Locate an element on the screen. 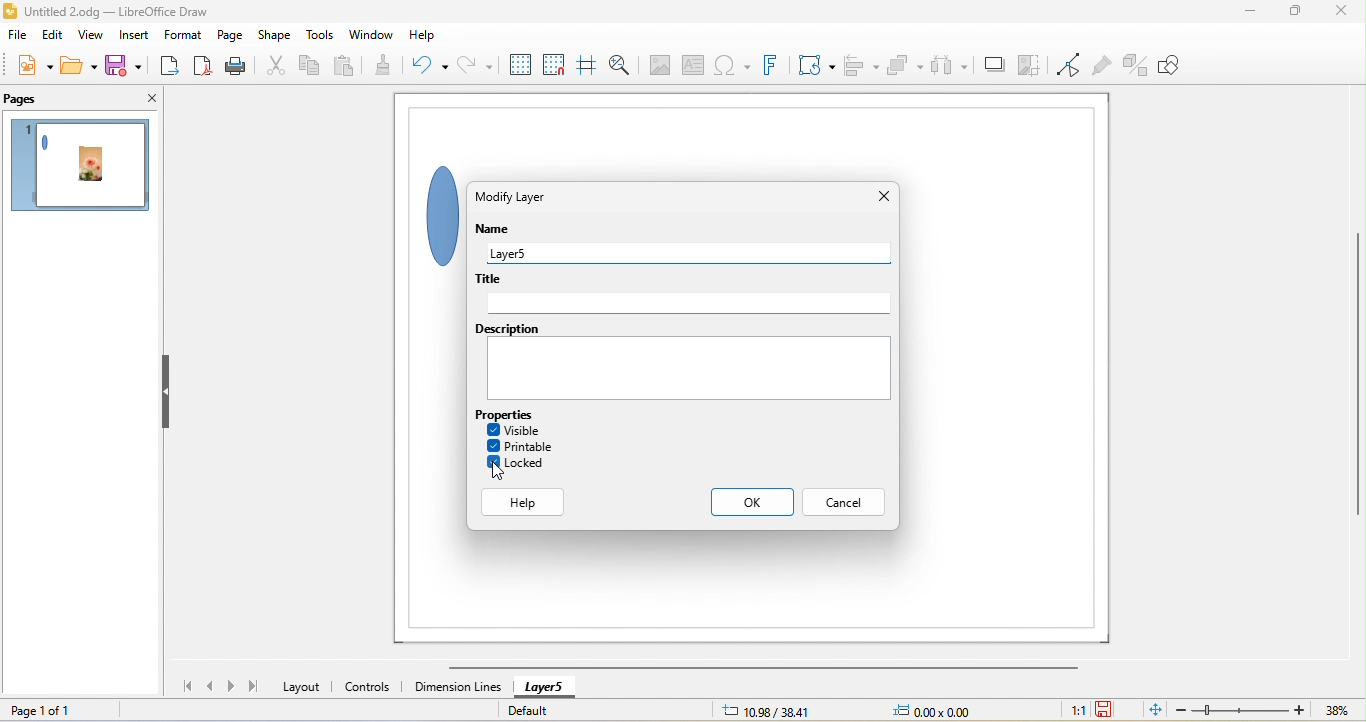 This screenshot has height=722, width=1366. shape is located at coordinates (433, 213).